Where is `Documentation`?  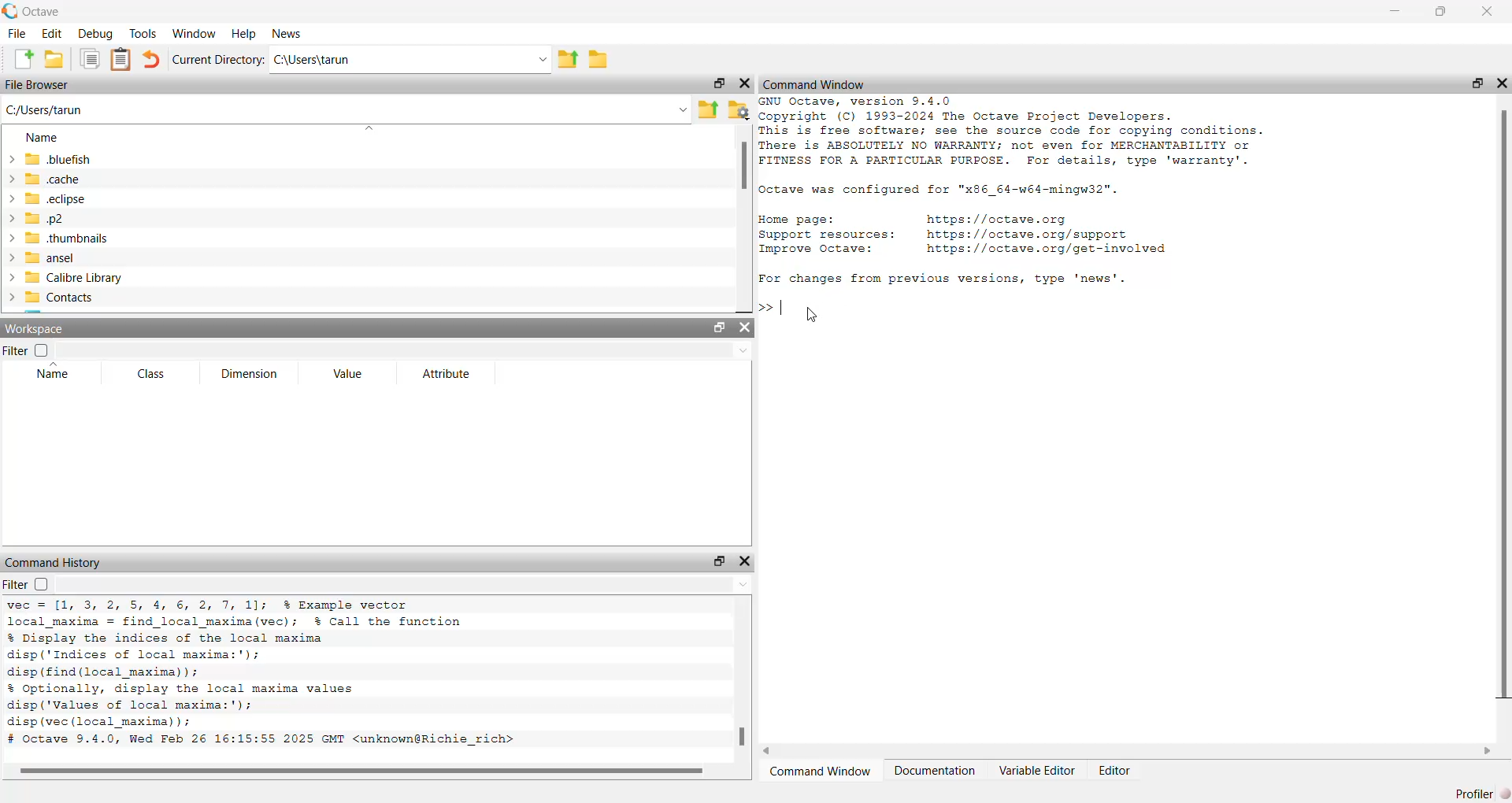 Documentation is located at coordinates (935, 771).